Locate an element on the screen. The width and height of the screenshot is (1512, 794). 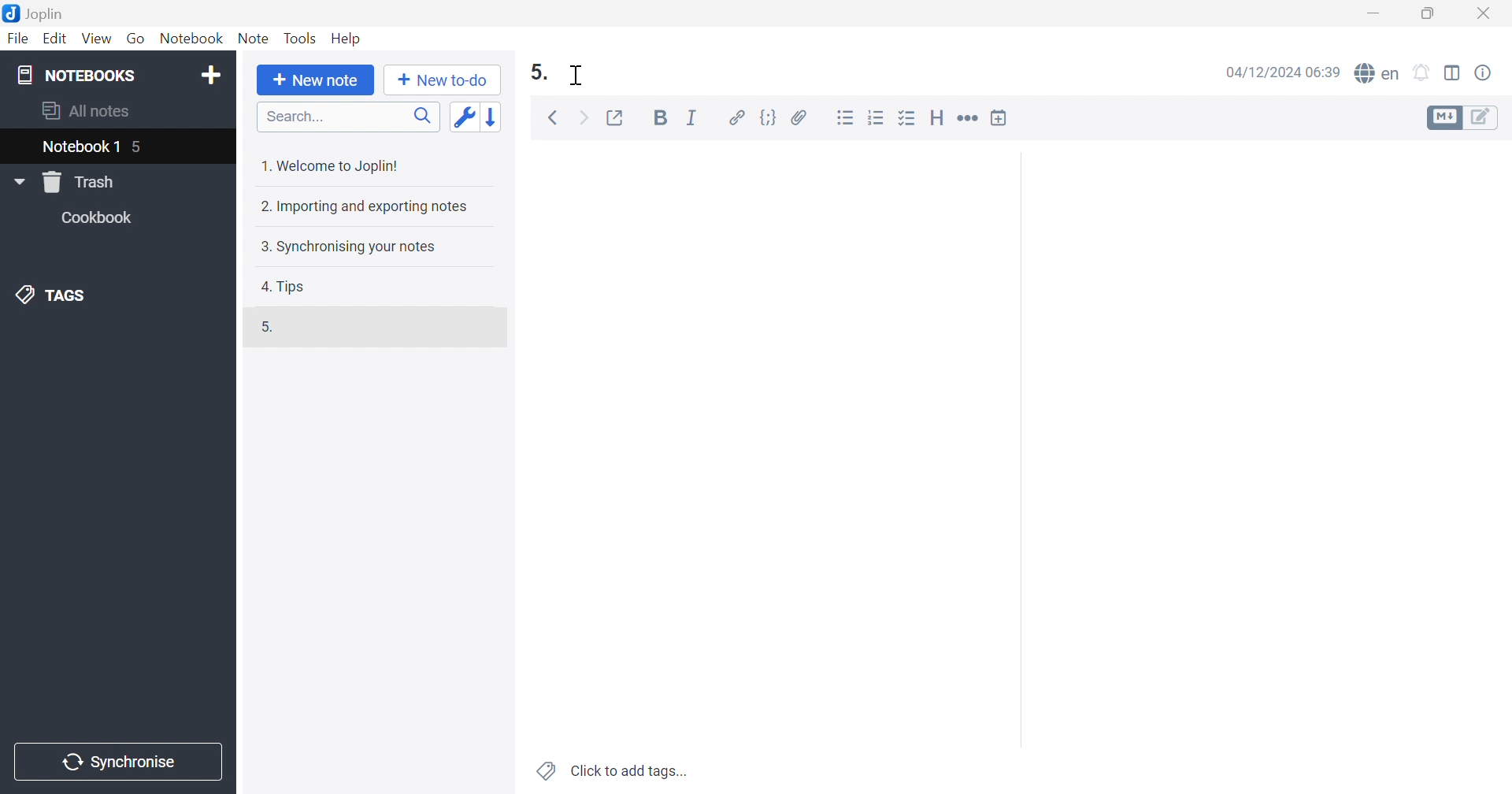
Close is located at coordinates (1488, 12).